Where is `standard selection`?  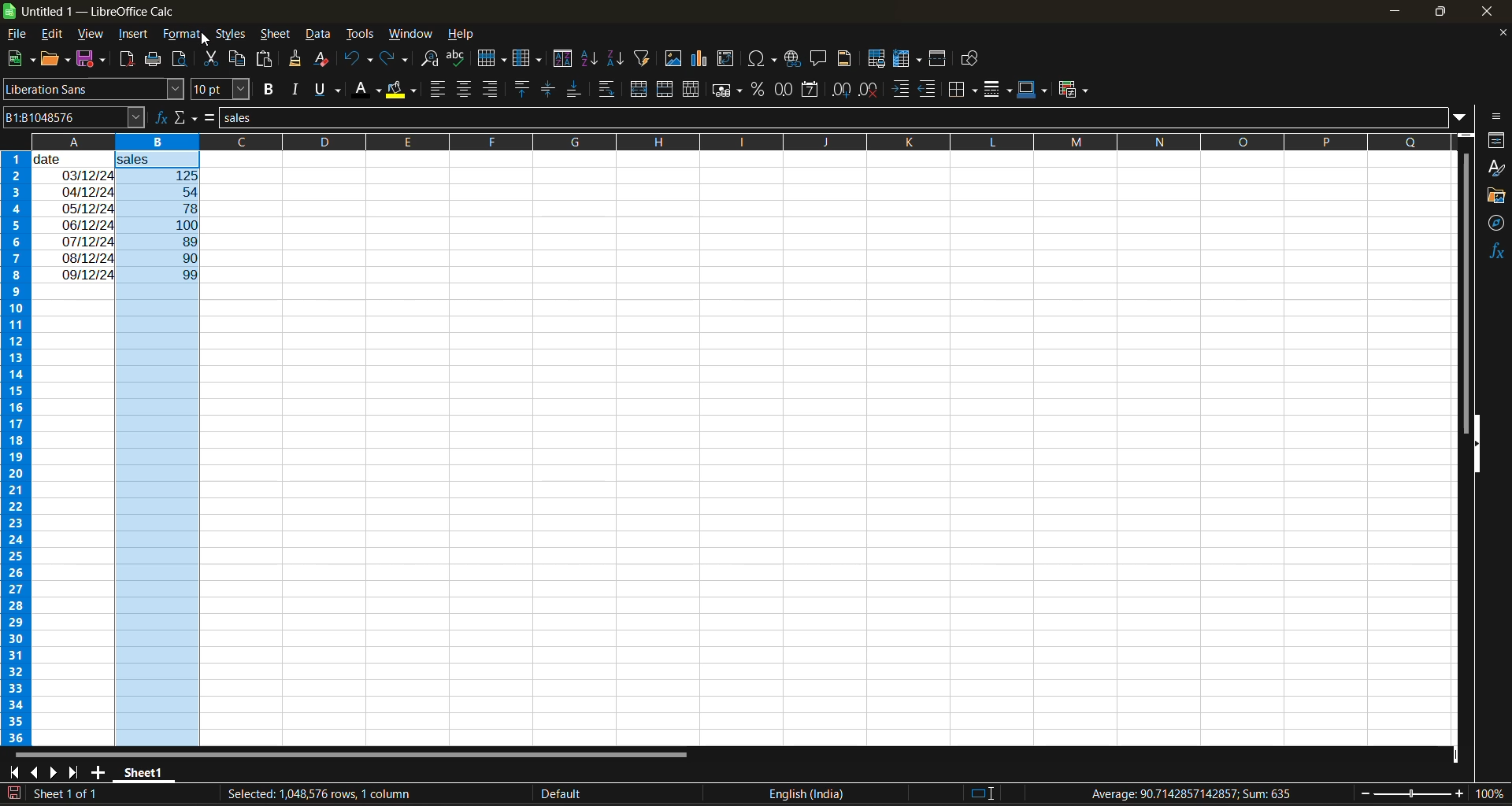 standard selection is located at coordinates (983, 793).